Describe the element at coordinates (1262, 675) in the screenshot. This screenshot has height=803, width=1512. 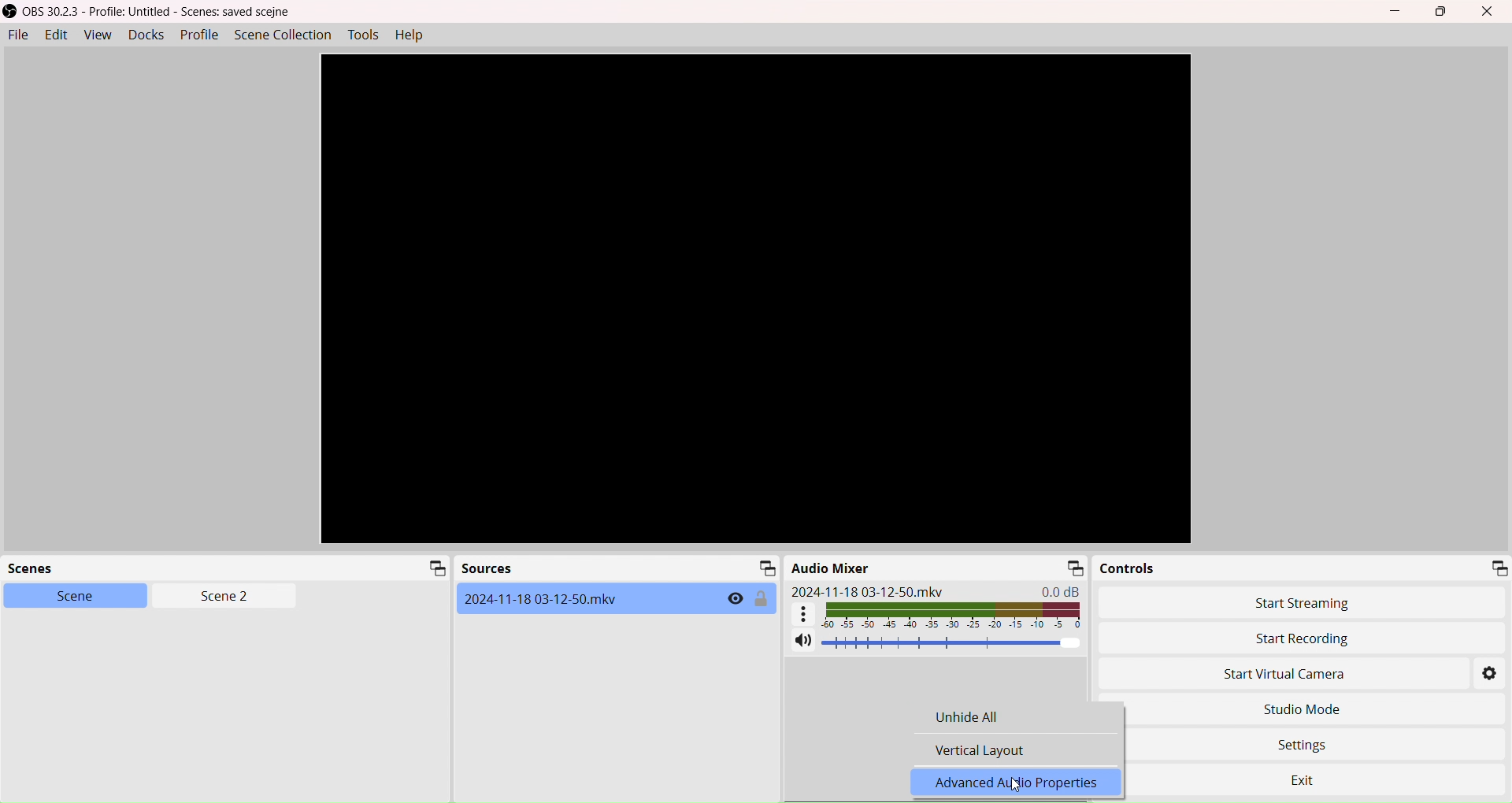
I see `Start Virtual Camera` at that location.